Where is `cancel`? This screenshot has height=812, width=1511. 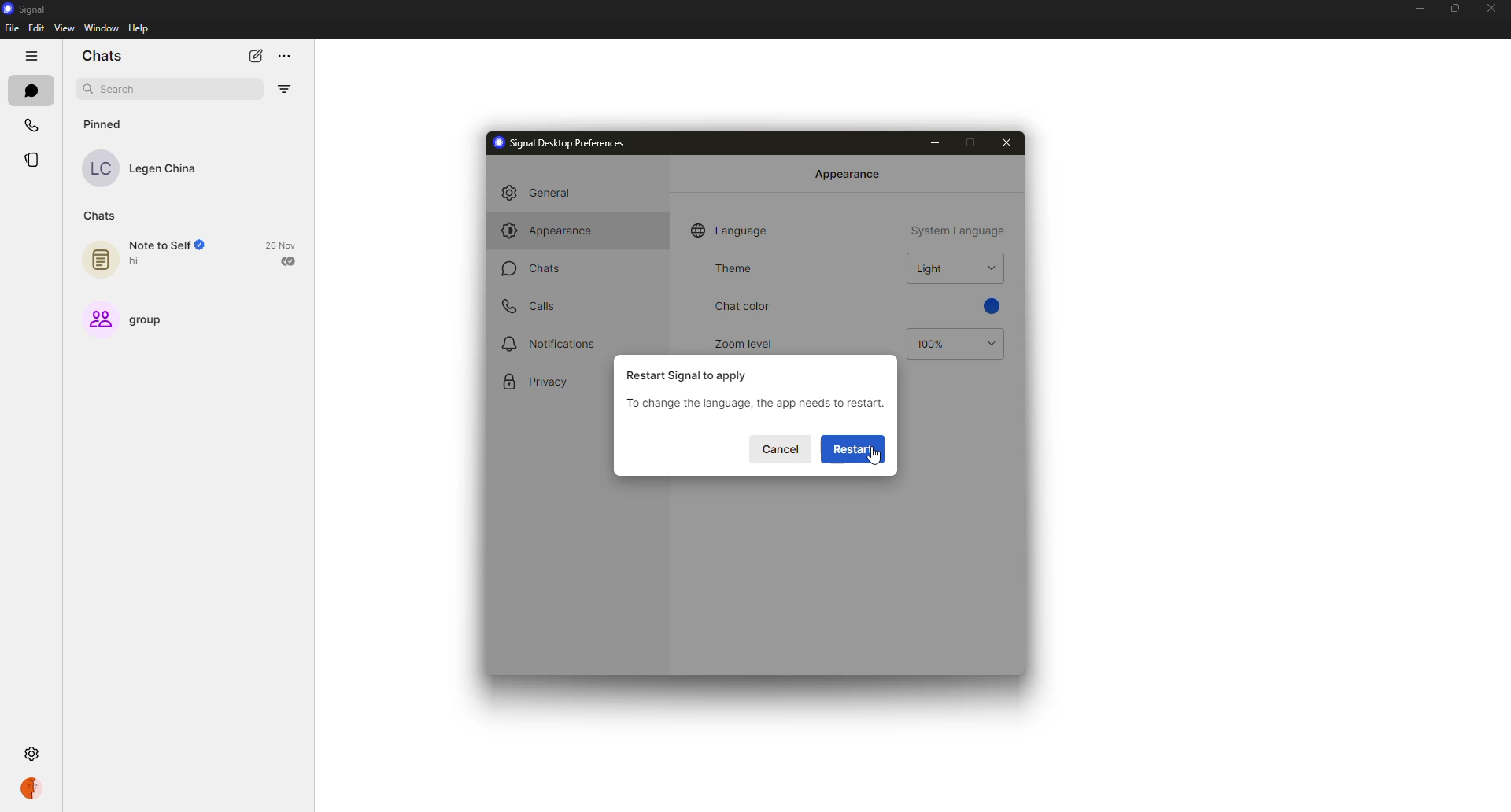 cancel is located at coordinates (781, 448).